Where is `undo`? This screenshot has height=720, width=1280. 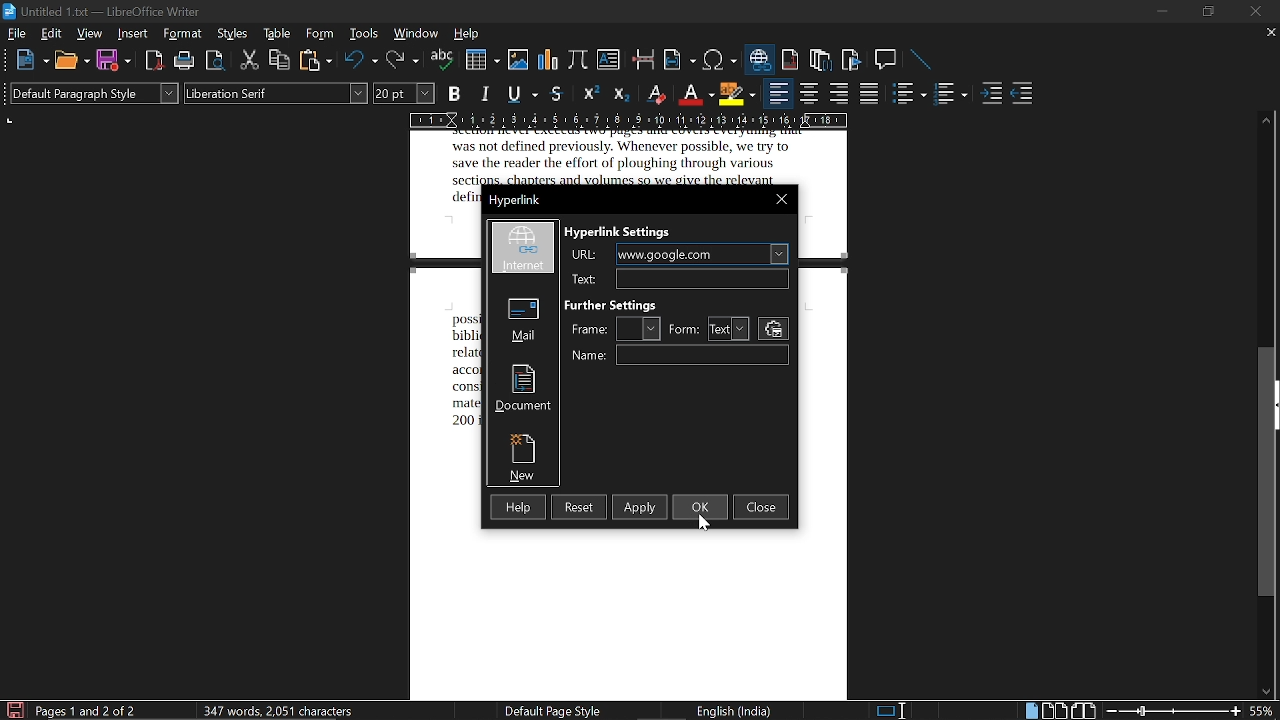 undo is located at coordinates (361, 61).